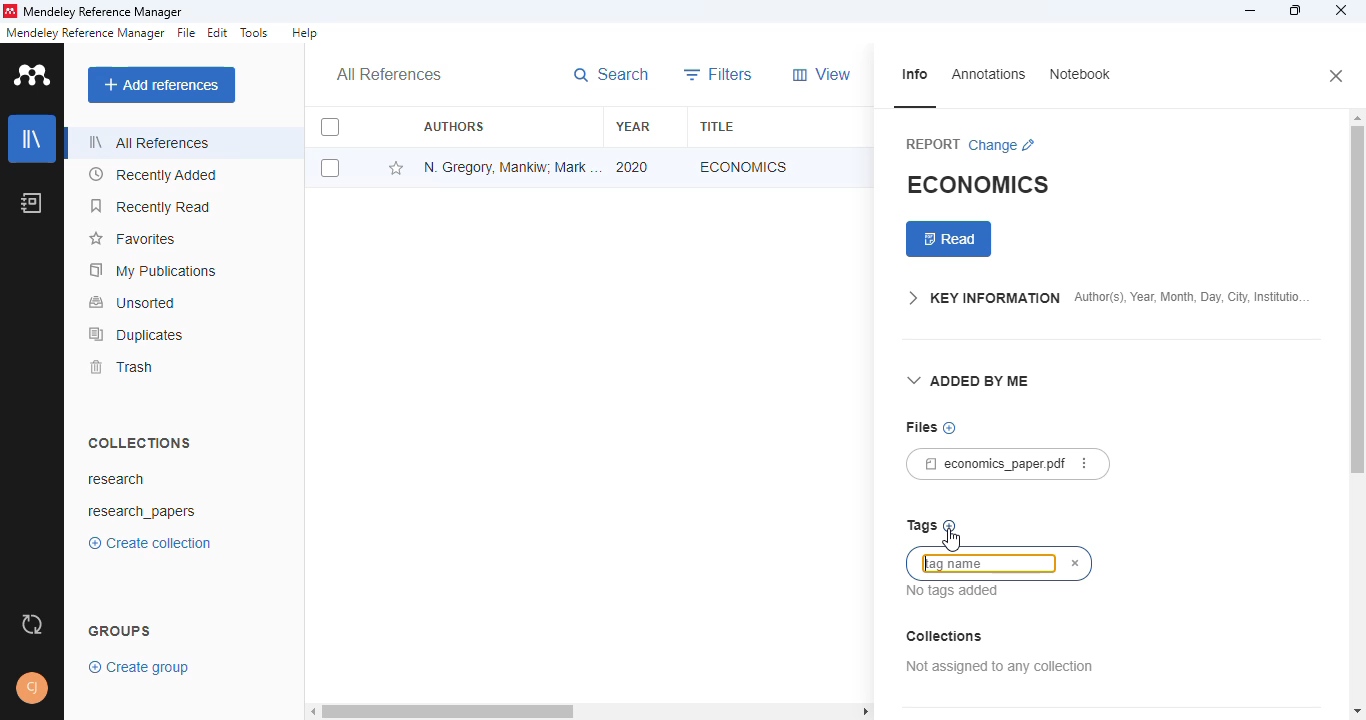 The image size is (1366, 720). Describe the element at coordinates (987, 463) in the screenshot. I see `economics_paper.pdf` at that location.